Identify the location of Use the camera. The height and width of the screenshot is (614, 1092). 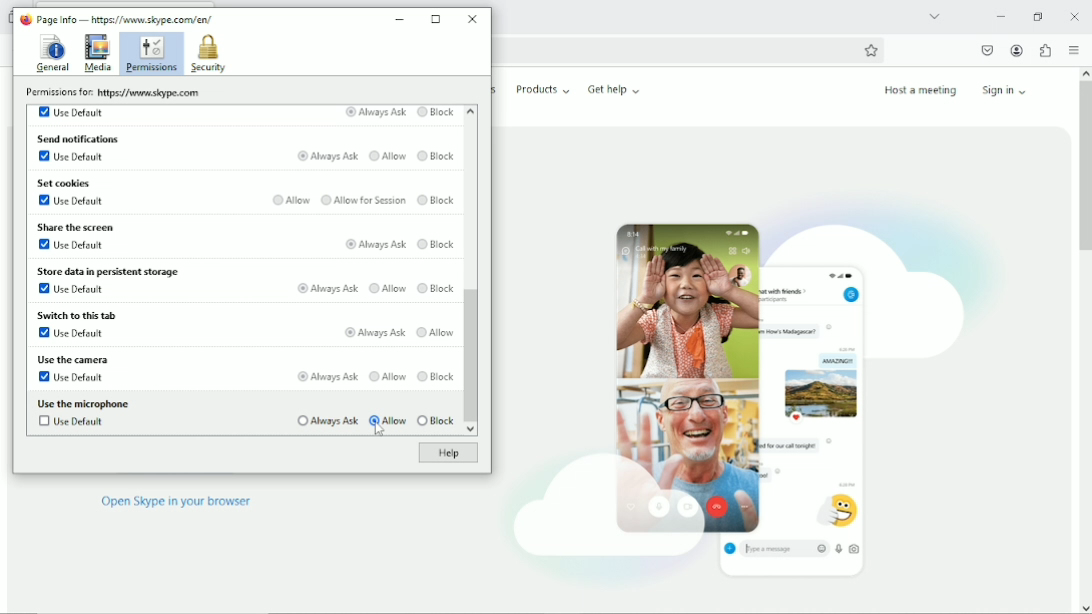
(71, 359).